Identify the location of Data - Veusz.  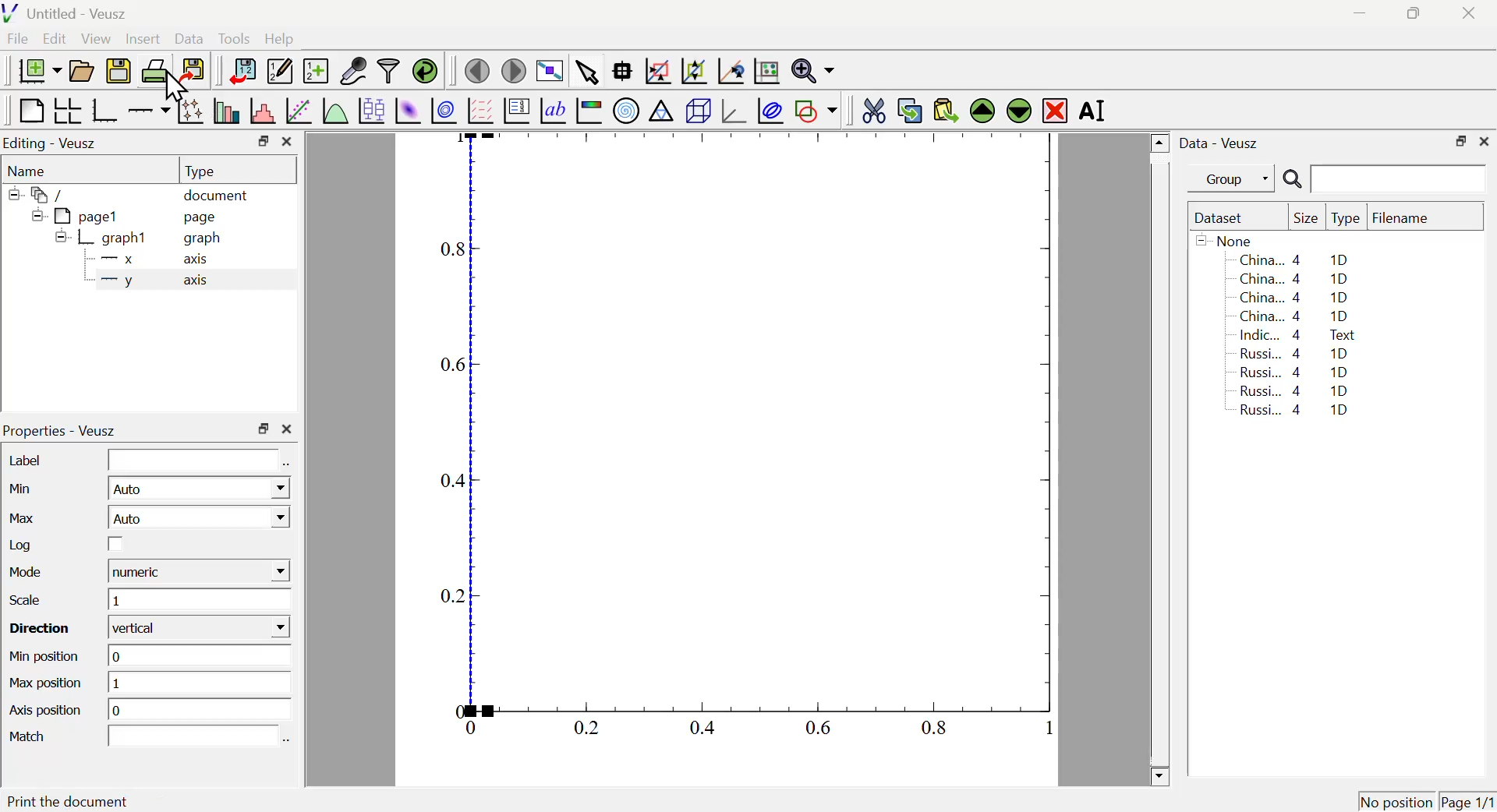
(1222, 144).